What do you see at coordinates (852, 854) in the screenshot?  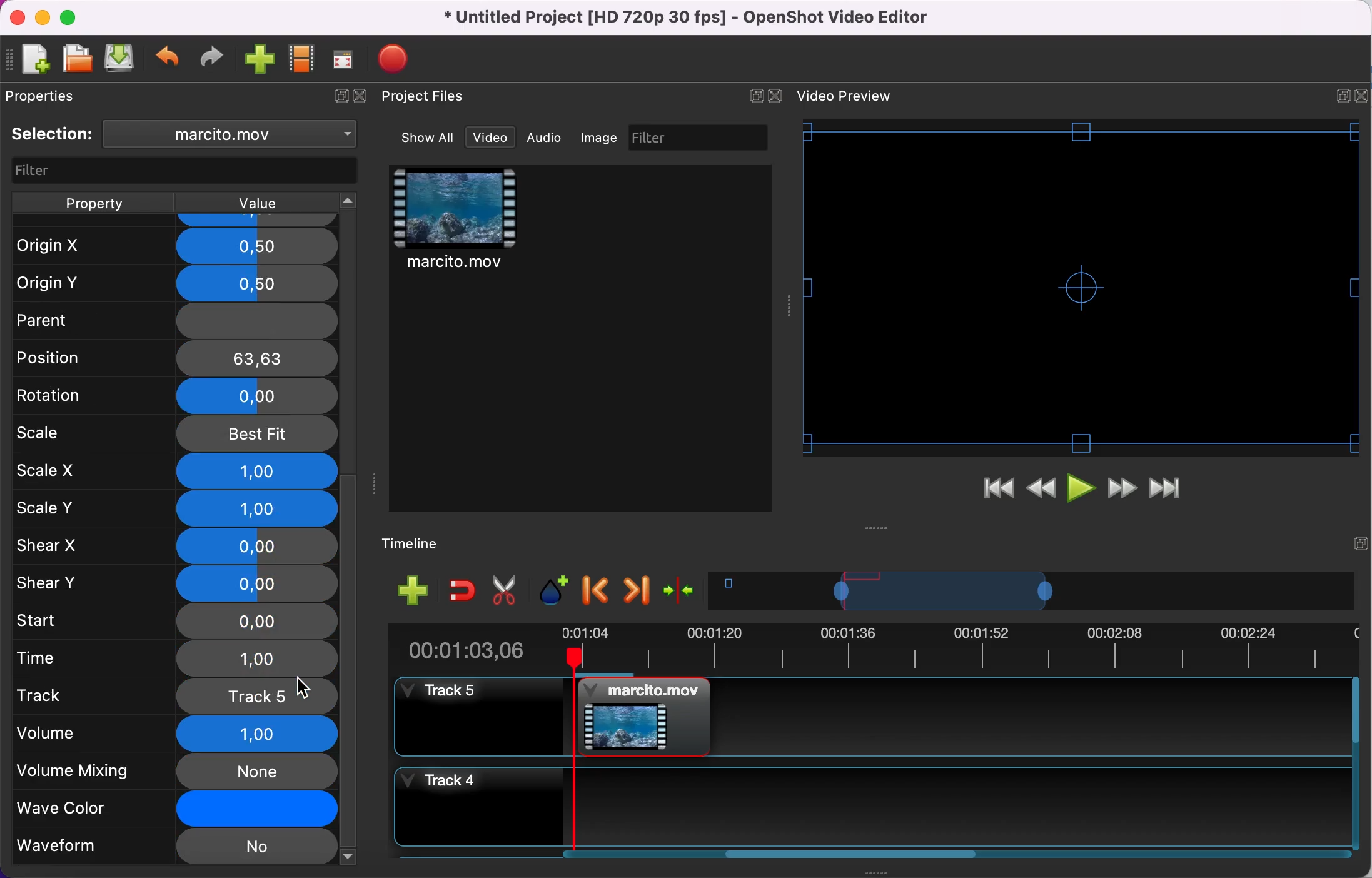 I see `Horizontal slide bar` at bounding box center [852, 854].